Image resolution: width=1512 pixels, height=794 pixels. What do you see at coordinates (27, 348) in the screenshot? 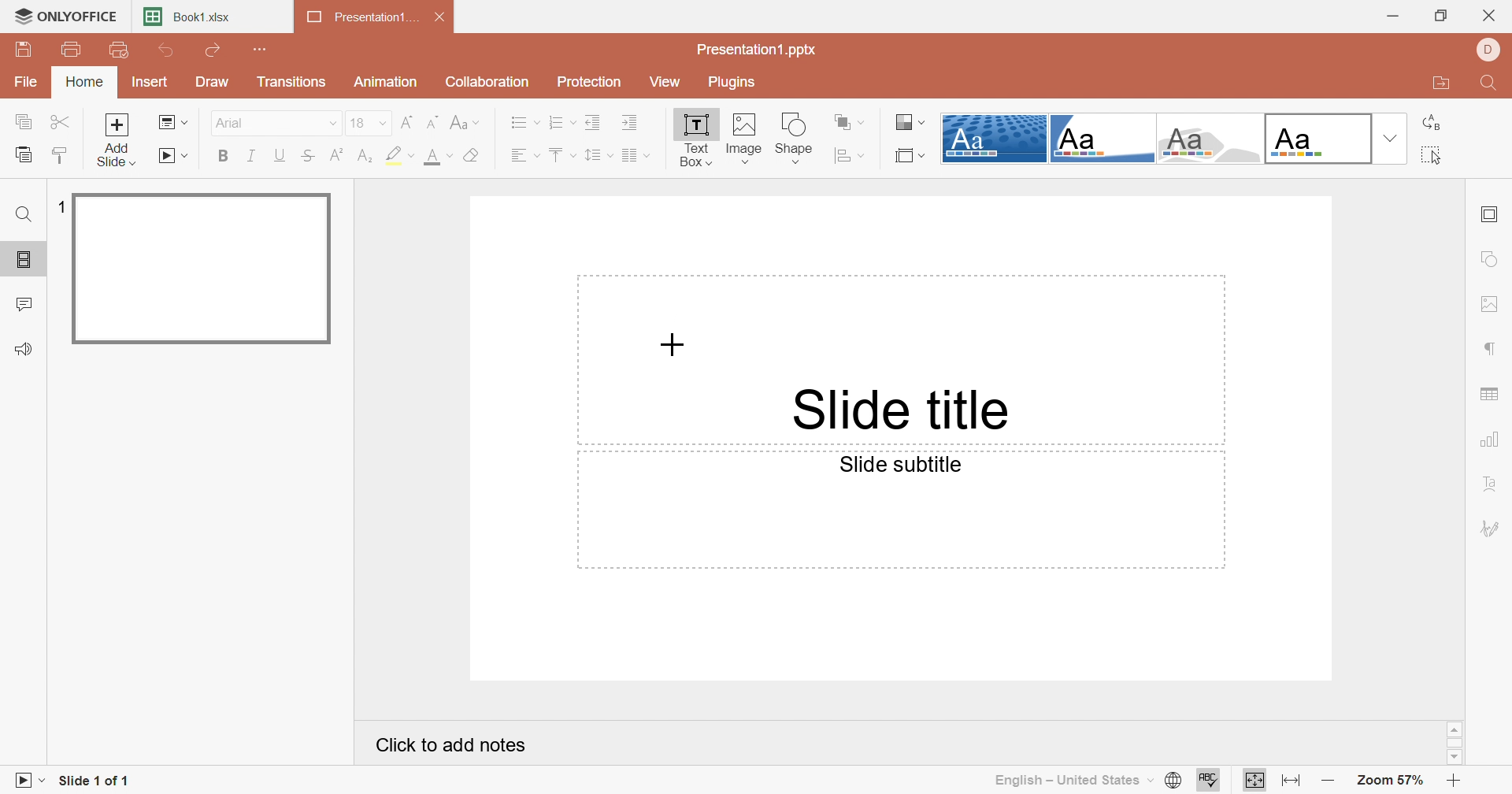
I see `Feedback & Support` at bounding box center [27, 348].